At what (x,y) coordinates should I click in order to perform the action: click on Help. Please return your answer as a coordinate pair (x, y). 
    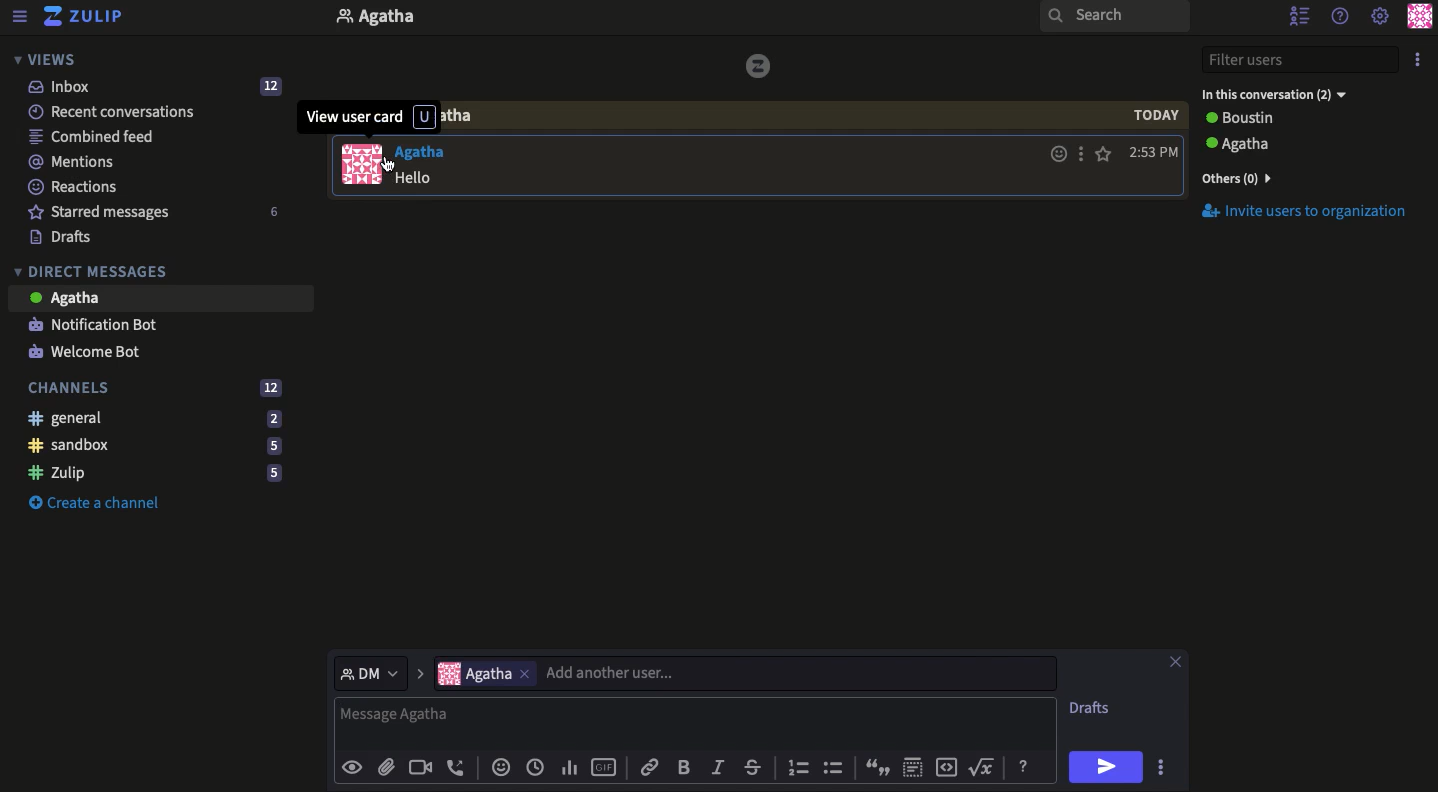
    Looking at the image, I should click on (1025, 766).